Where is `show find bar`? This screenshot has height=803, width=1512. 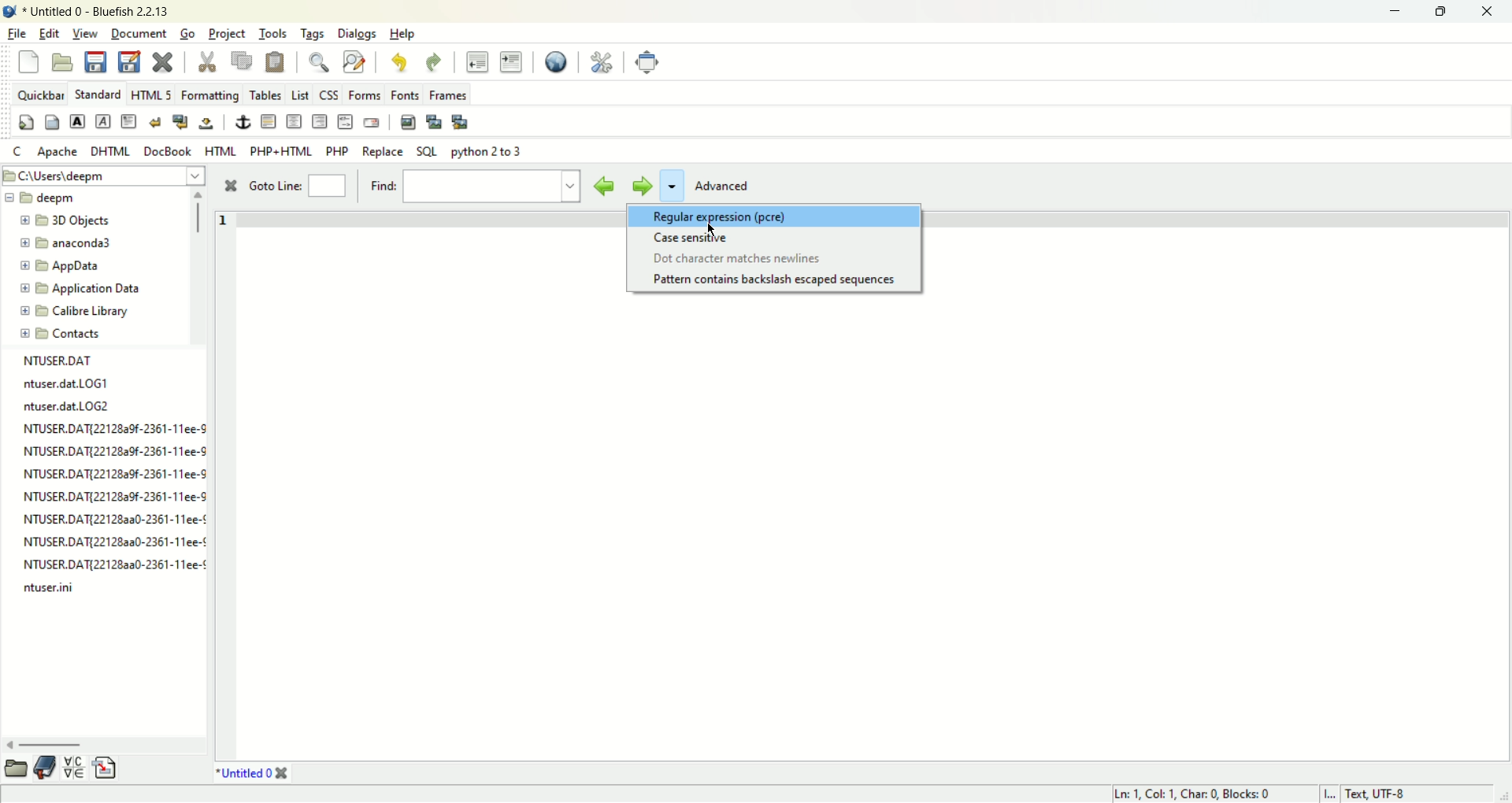
show find bar is located at coordinates (320, 61).